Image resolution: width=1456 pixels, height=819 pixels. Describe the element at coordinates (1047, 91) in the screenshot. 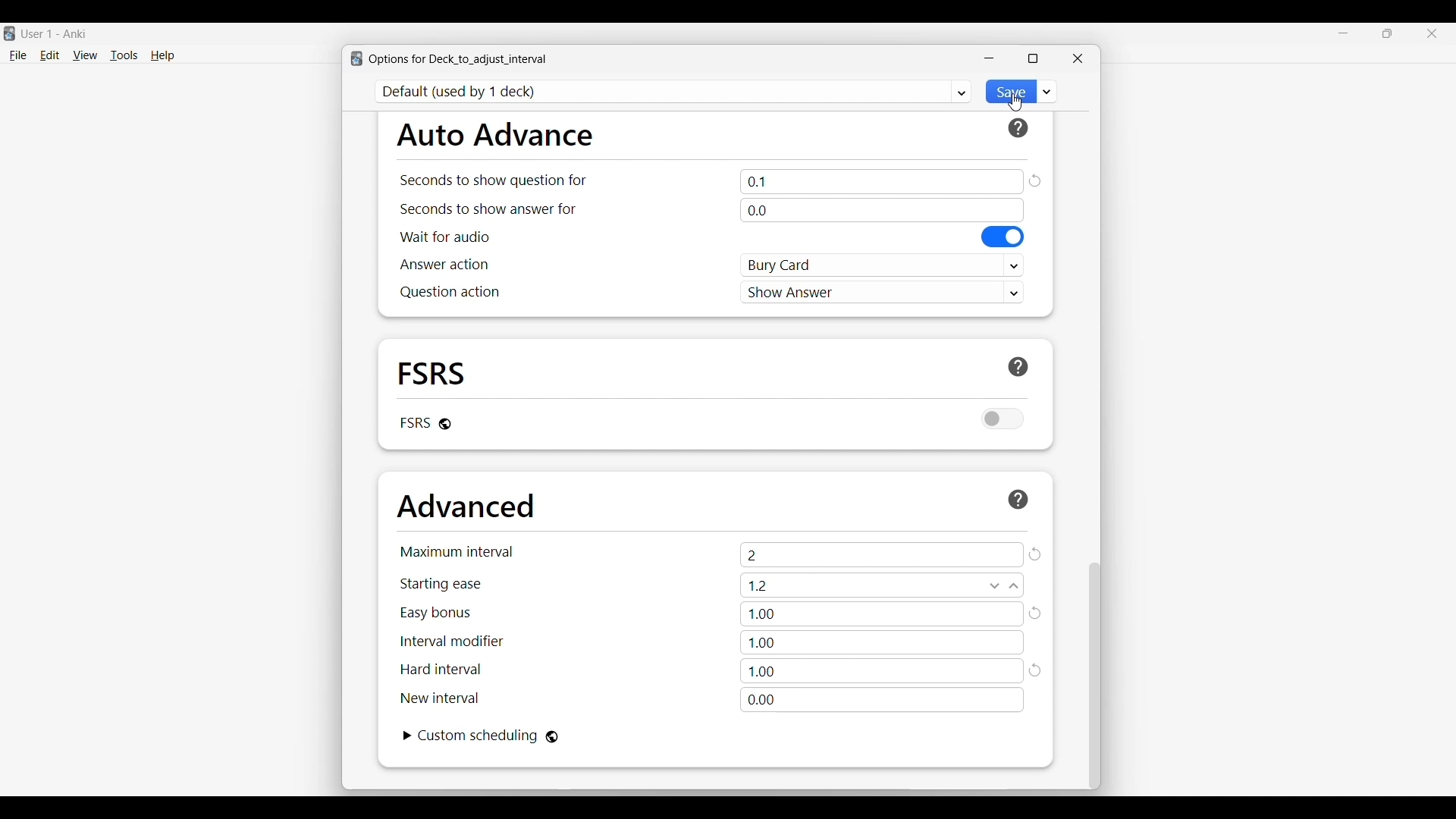

I see `Save and other options` at that location.